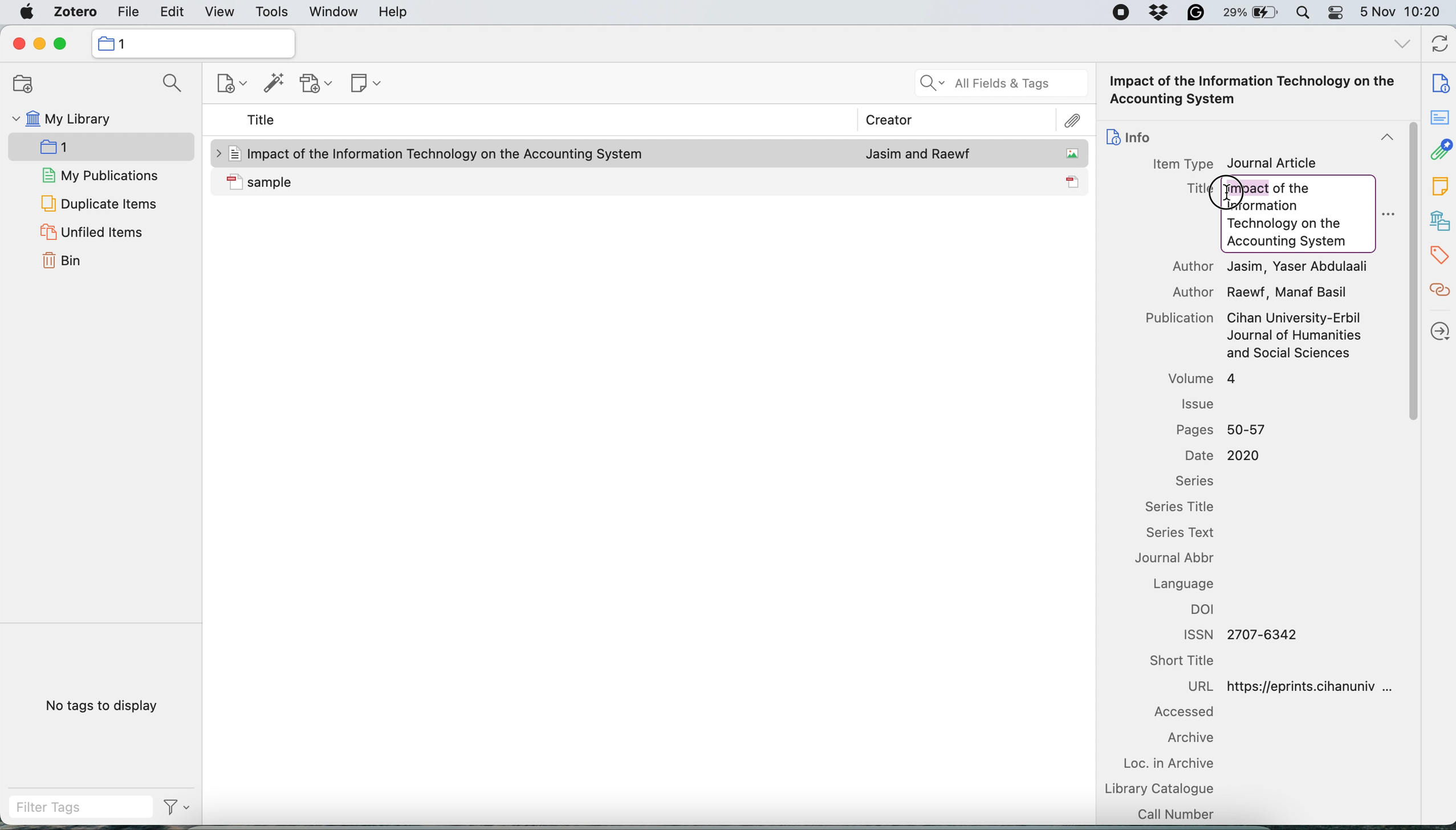 The image size is (1456, 830). I want to click on help, so click(395, 13).